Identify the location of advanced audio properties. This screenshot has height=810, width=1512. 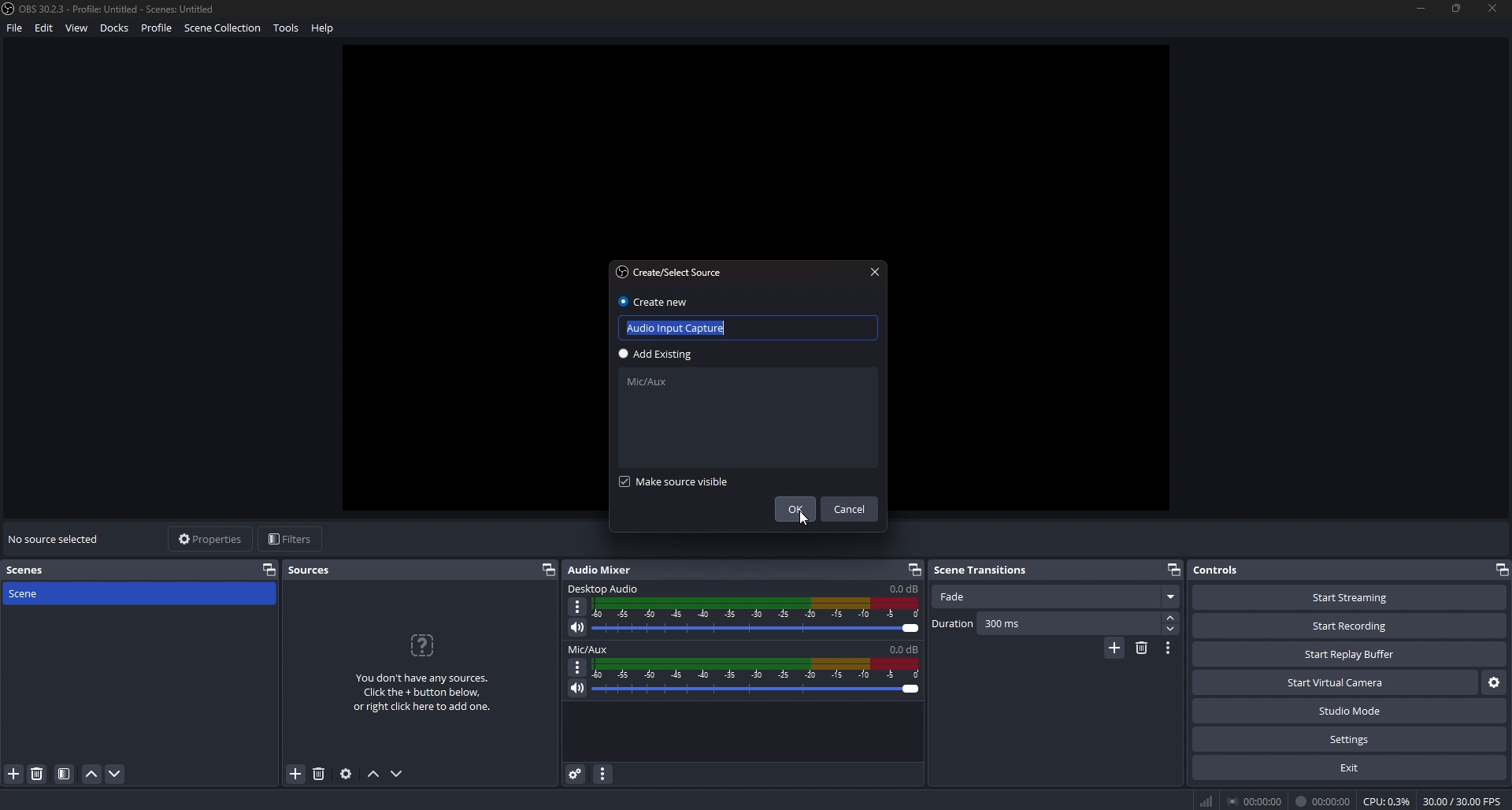
(575, 773).